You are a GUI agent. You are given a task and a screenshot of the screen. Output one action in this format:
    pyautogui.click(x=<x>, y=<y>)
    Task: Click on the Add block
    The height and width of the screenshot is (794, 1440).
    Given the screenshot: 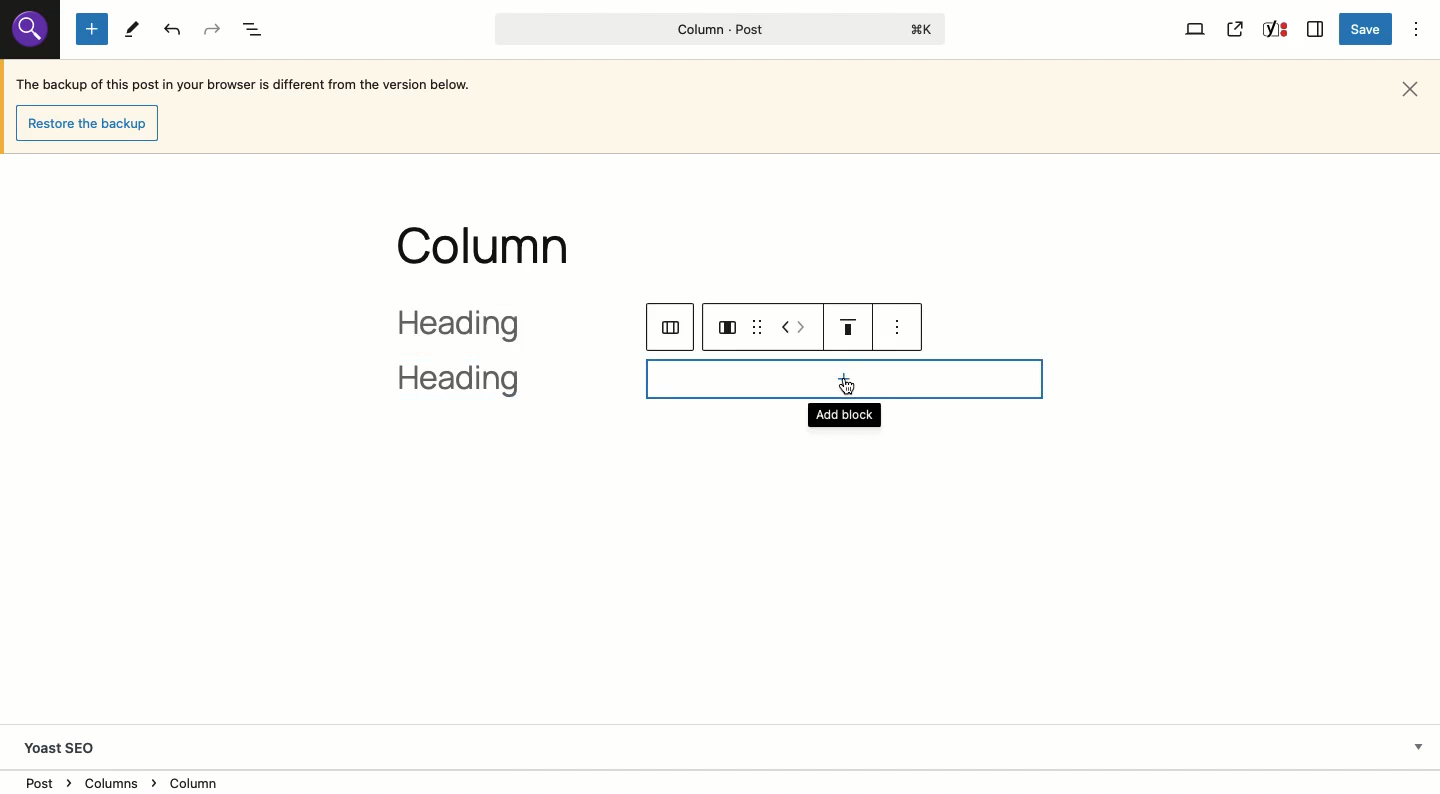 What is the action you would take?
    pyautogui.click(x=847, y=396)
    